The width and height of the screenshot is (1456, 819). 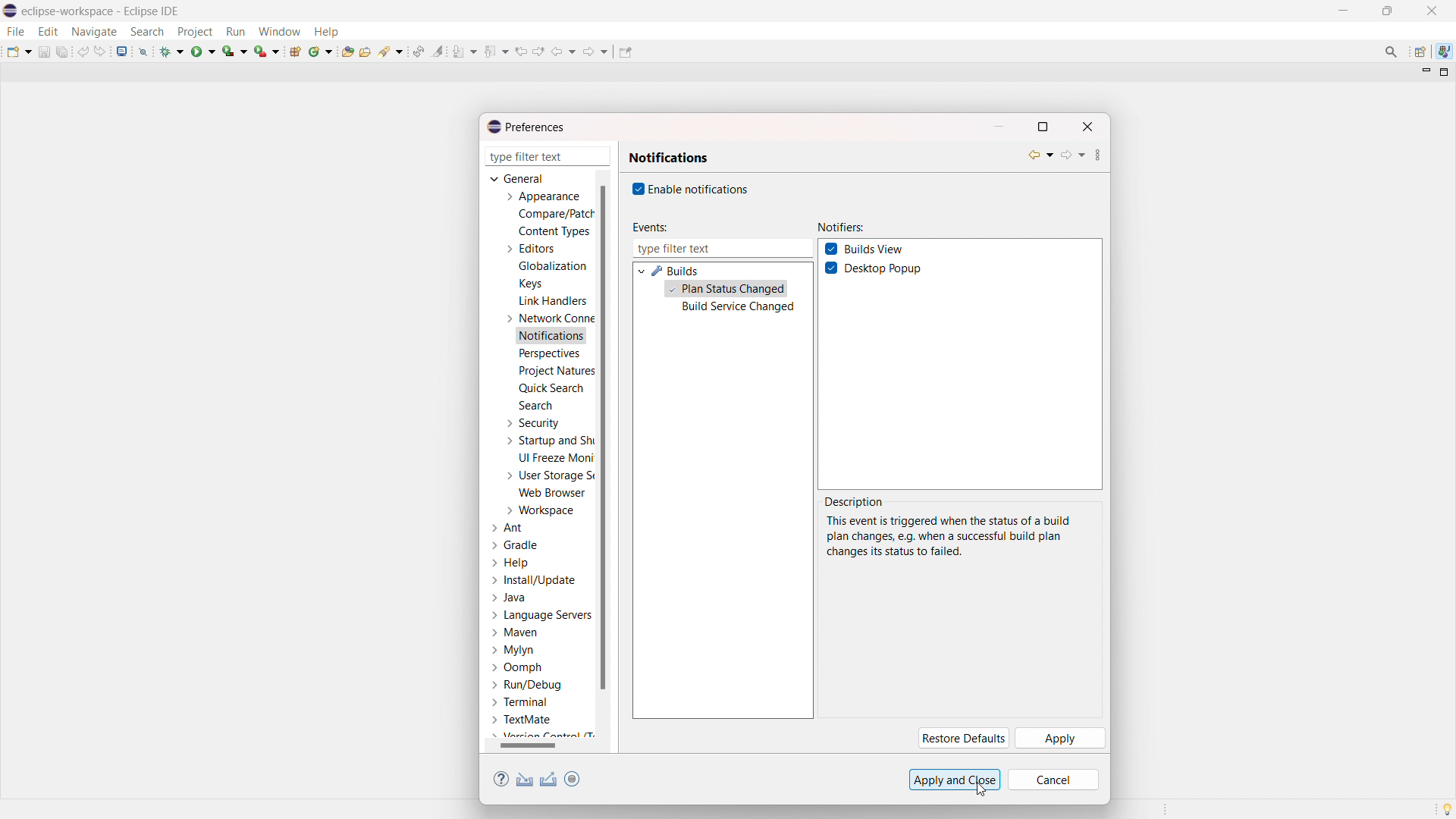 What do you see at coordinates (726, 290) in the screenshot?
I see `plan status changed` at bounding box center [726, 290].